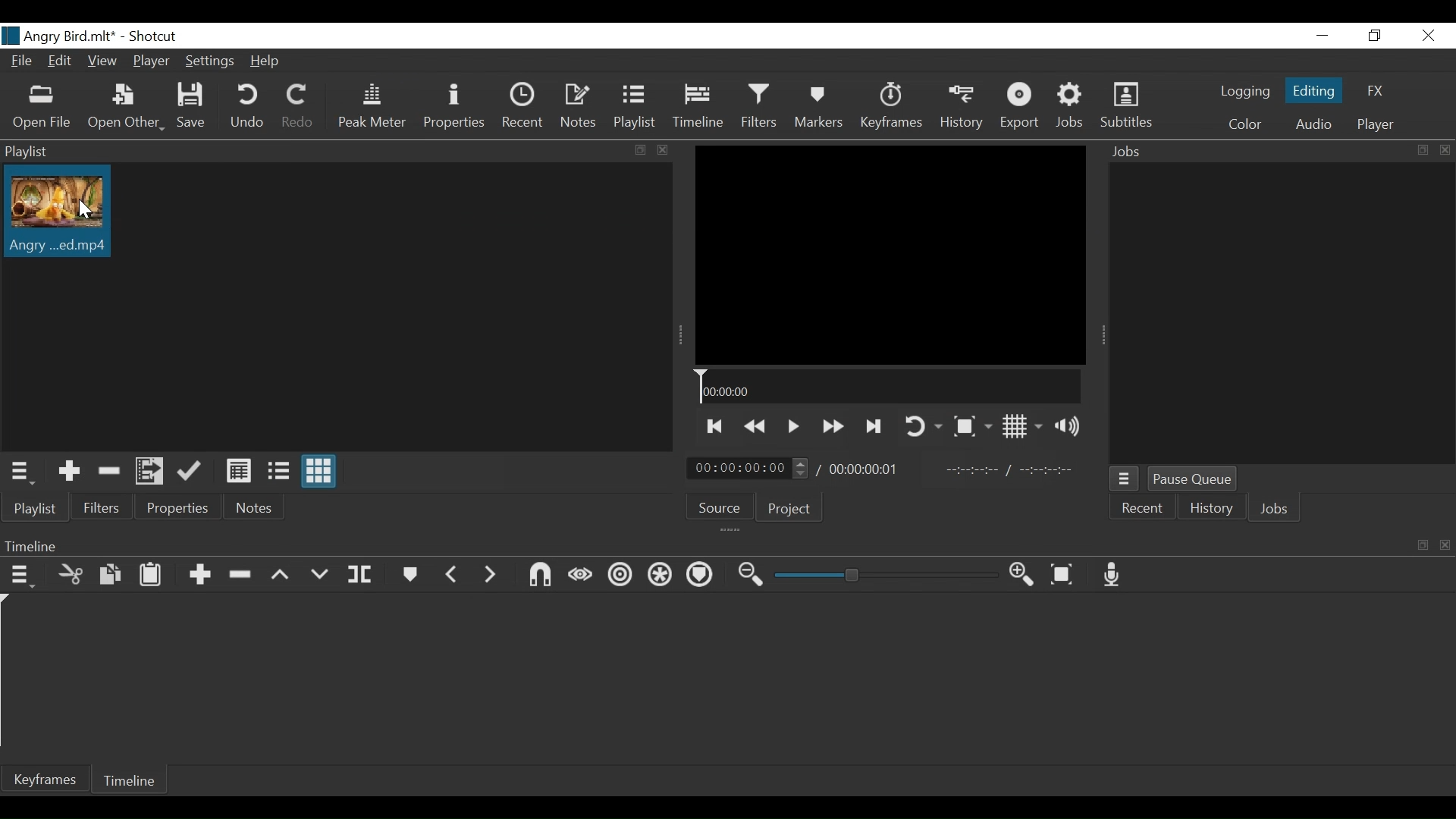 The width and height of the screenshot is (1456, 819). I want to click on Peak Meter, so click(370, 106).